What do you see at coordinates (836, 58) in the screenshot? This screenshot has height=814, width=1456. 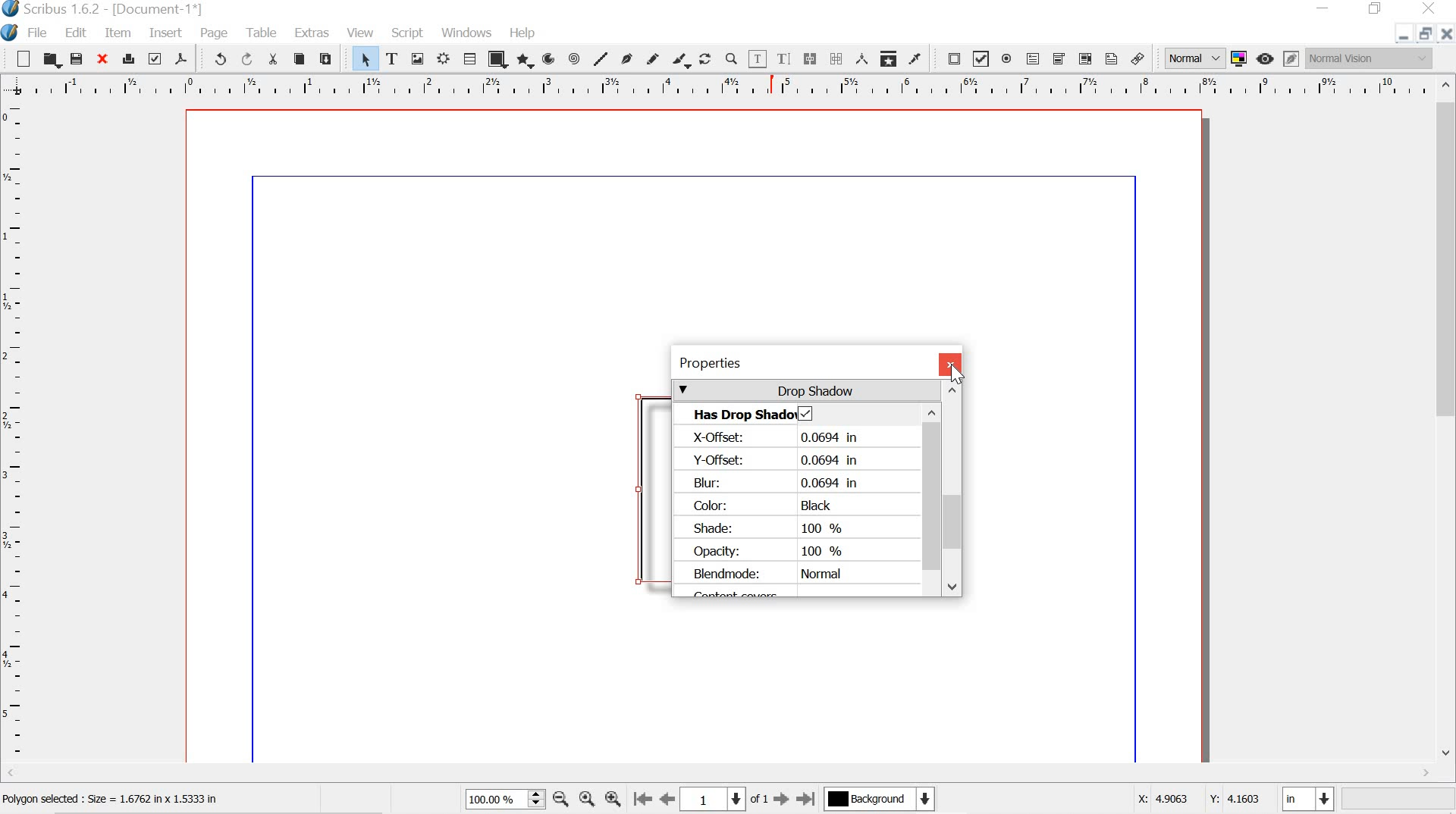 I see `unlink text frame` at bounding box center [836, 58].